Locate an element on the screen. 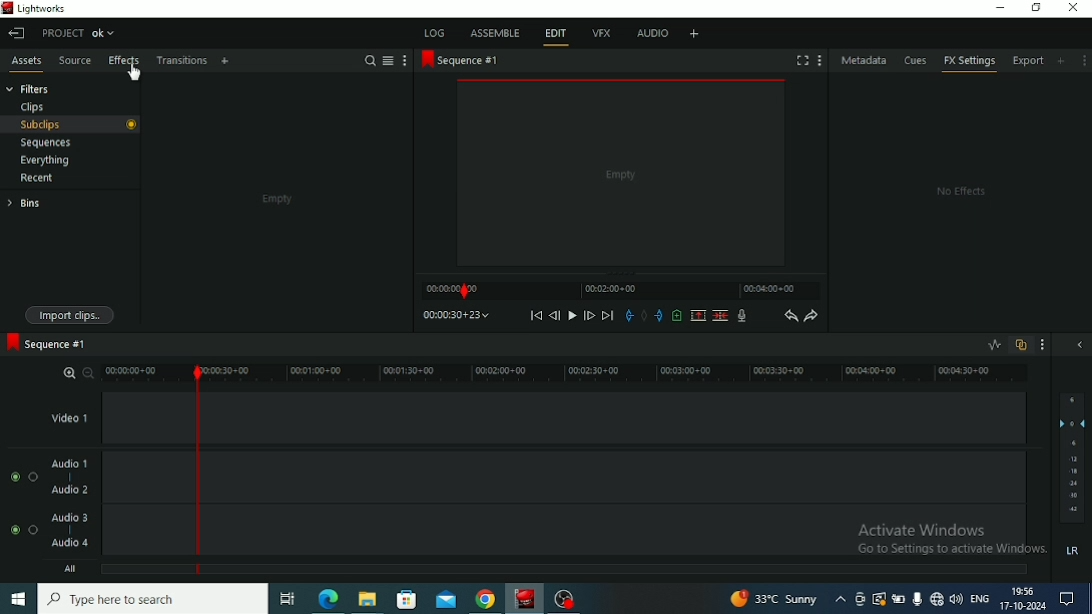 The image size is (1092, 614). internet is located at coordinates (937, 598).